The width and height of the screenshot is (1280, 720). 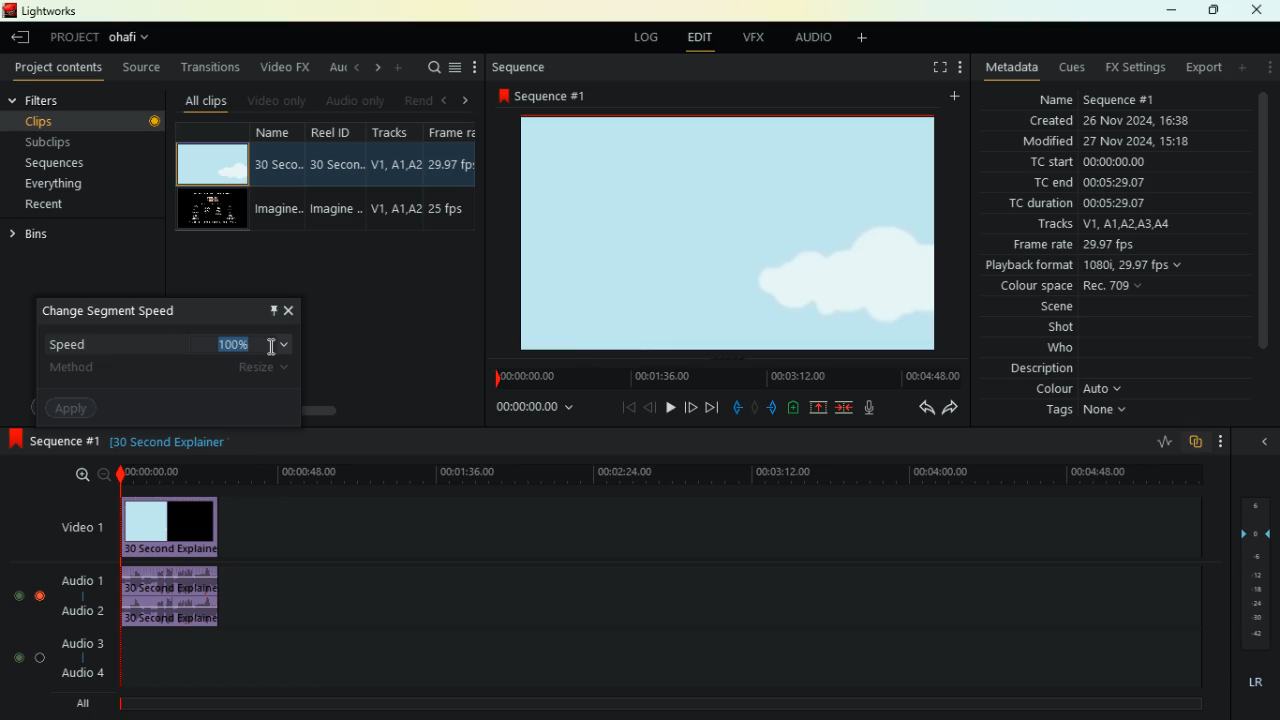 I want to click on zoom, so click(x=82, y=474).